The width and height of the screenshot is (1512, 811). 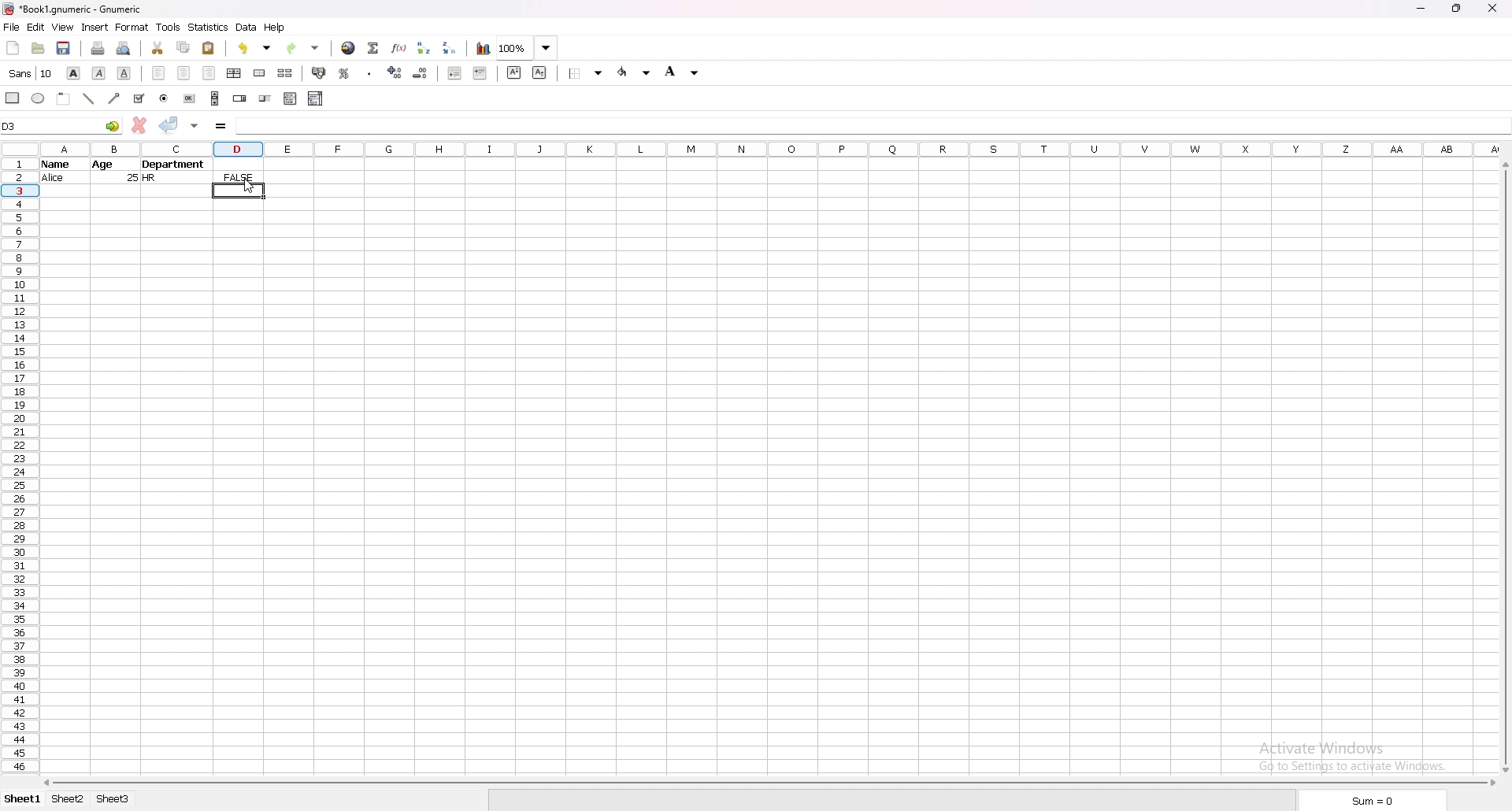 I want to click on border, so click(x=587, y=73).